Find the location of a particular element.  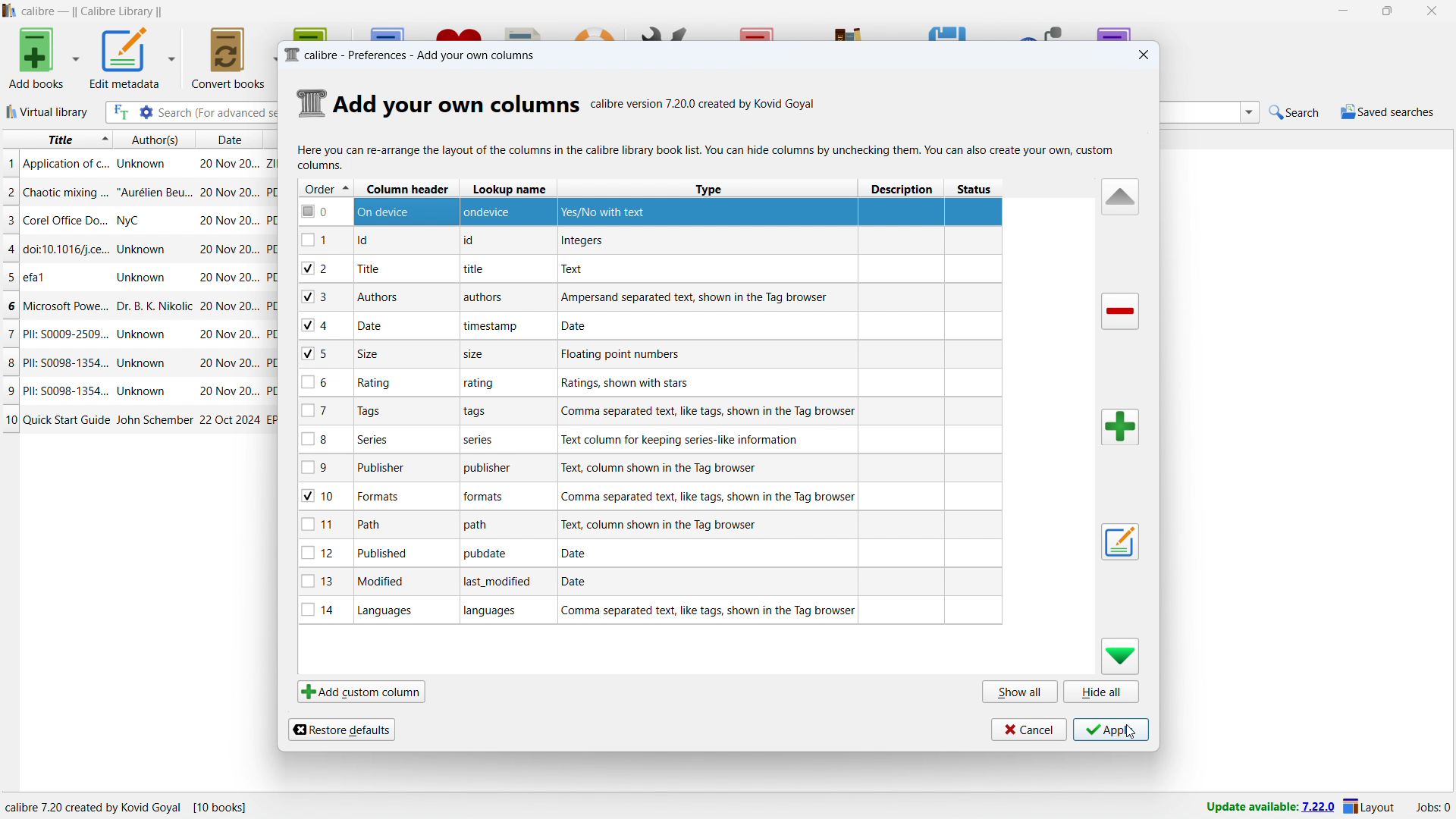

Text column for keeping series-like information is located at coordinates (679, 439).